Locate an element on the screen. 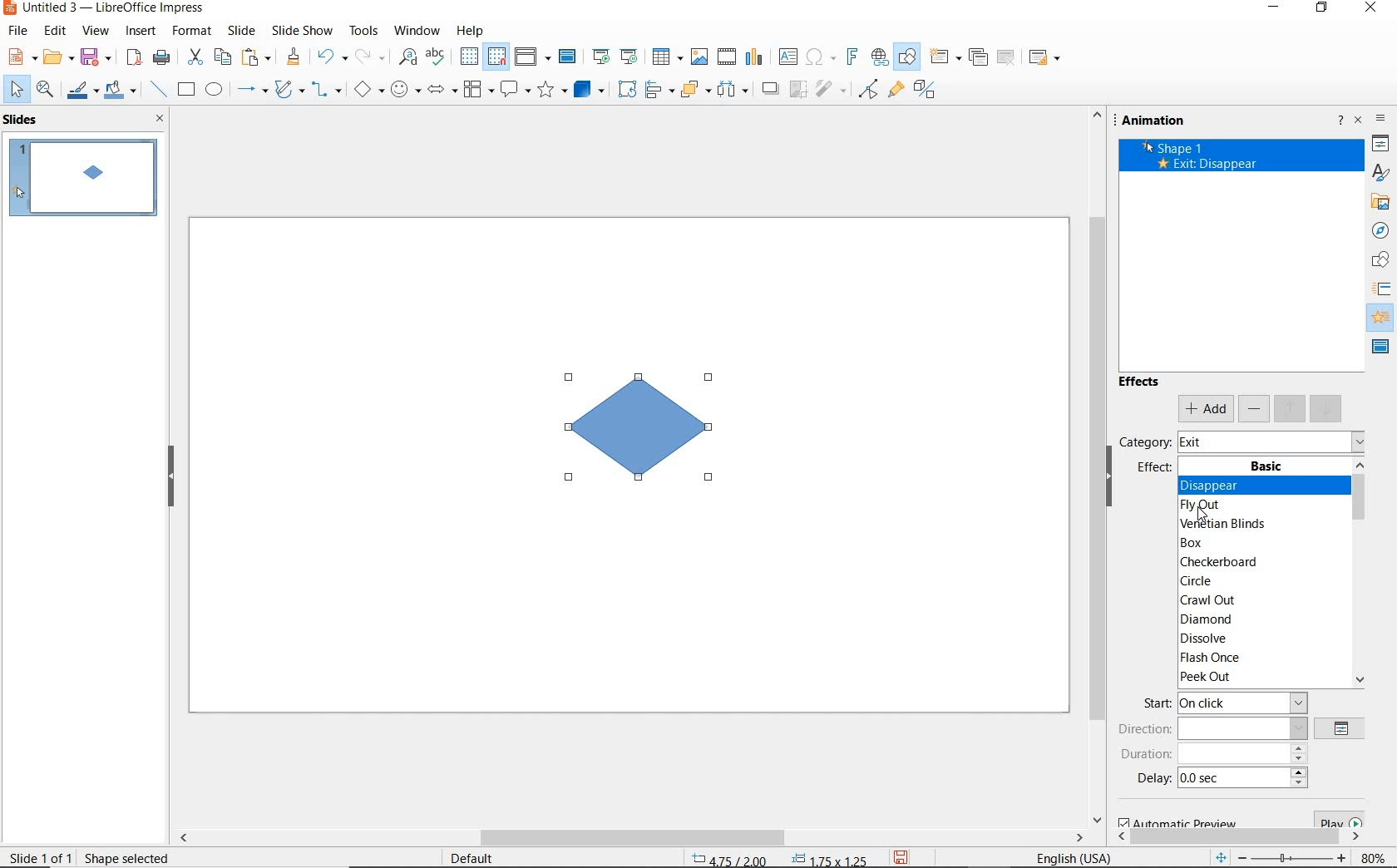 The width and height of the screenshot is (1397, 868). arrange is located at coordinates (693, 91).